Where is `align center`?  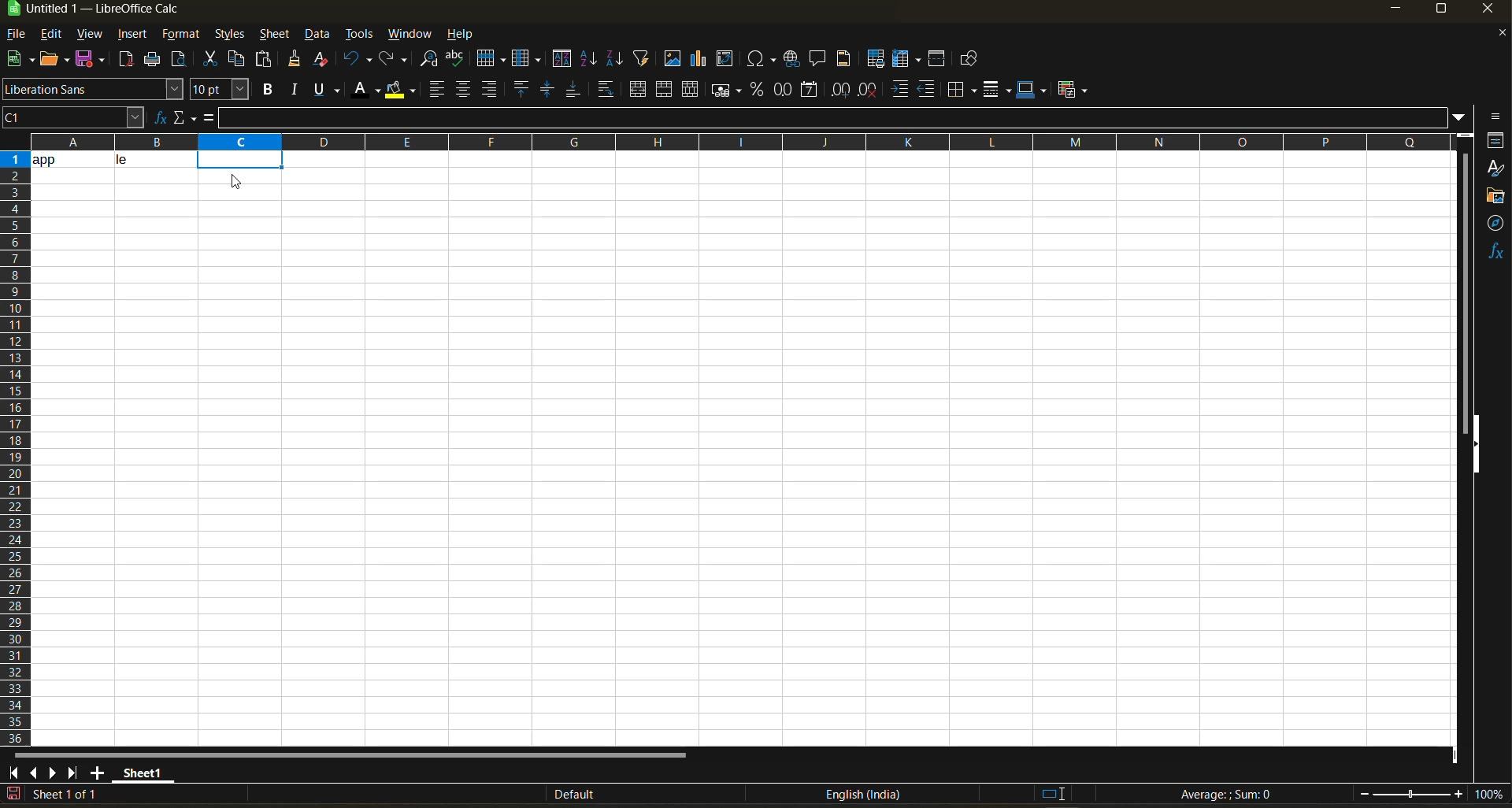
align center is located at coordinates (463, 89).